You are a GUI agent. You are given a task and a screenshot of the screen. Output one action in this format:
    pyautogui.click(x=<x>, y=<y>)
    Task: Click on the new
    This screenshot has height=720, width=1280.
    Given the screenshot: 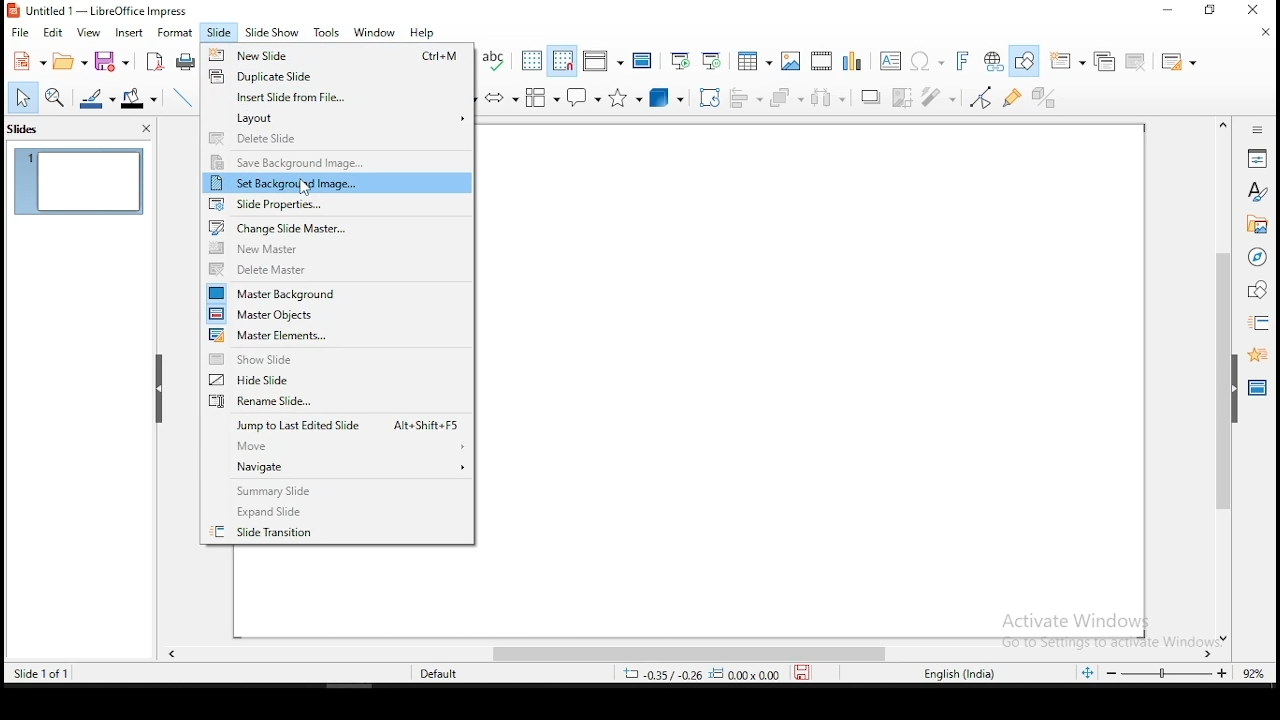 What is the action you would take?
    pyautogui.click(x=26, y=62)
    